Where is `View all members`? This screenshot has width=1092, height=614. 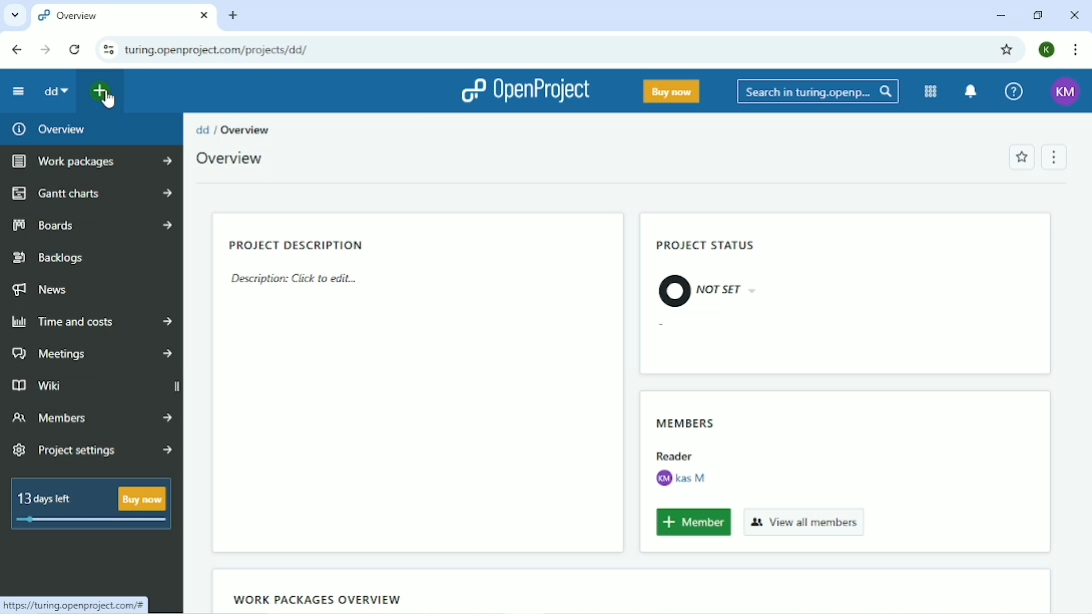
View all members is located at coordinates (807, 522).